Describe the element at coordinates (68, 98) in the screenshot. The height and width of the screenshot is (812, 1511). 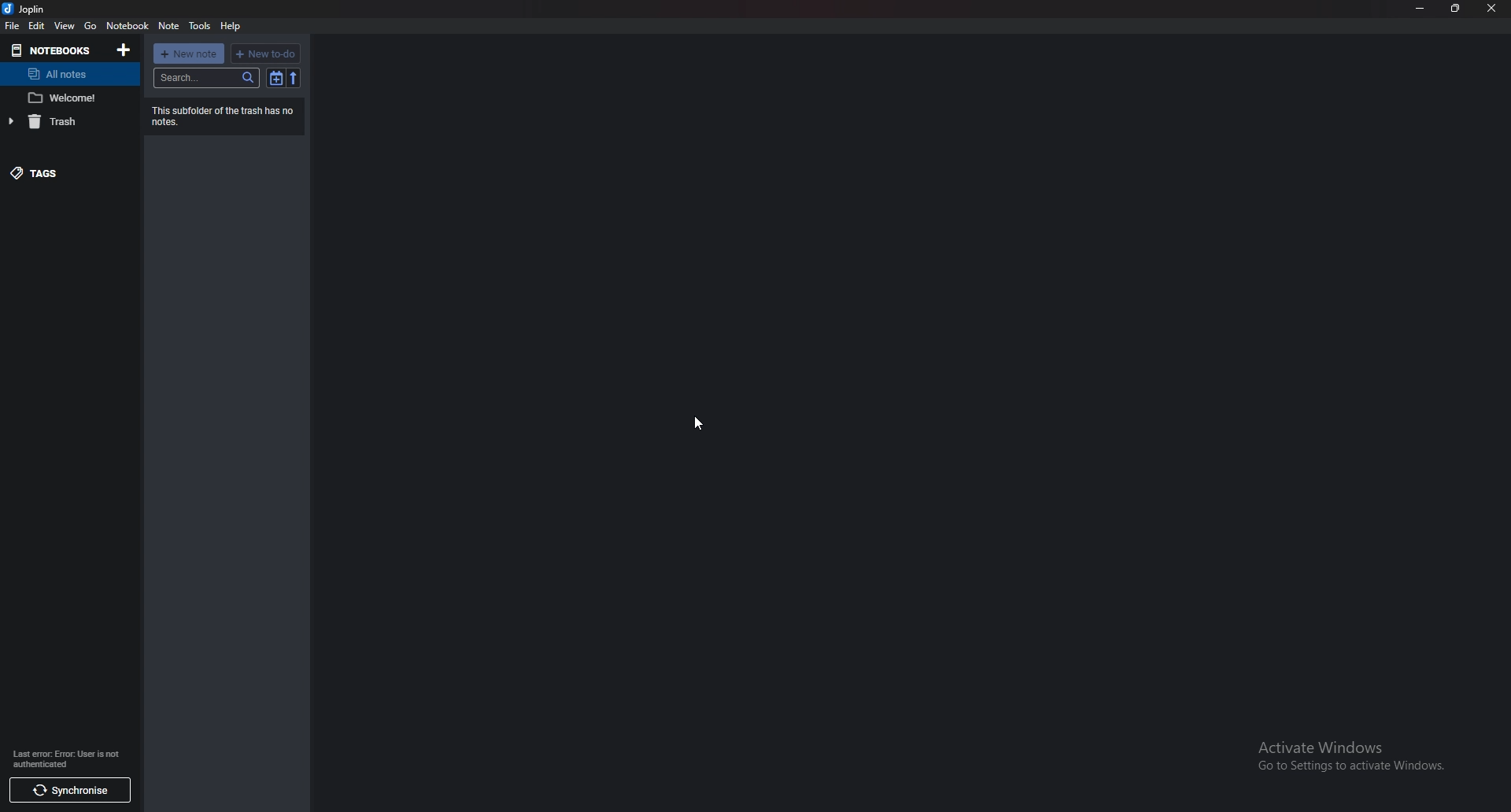
I see `Welcome note` at that location.